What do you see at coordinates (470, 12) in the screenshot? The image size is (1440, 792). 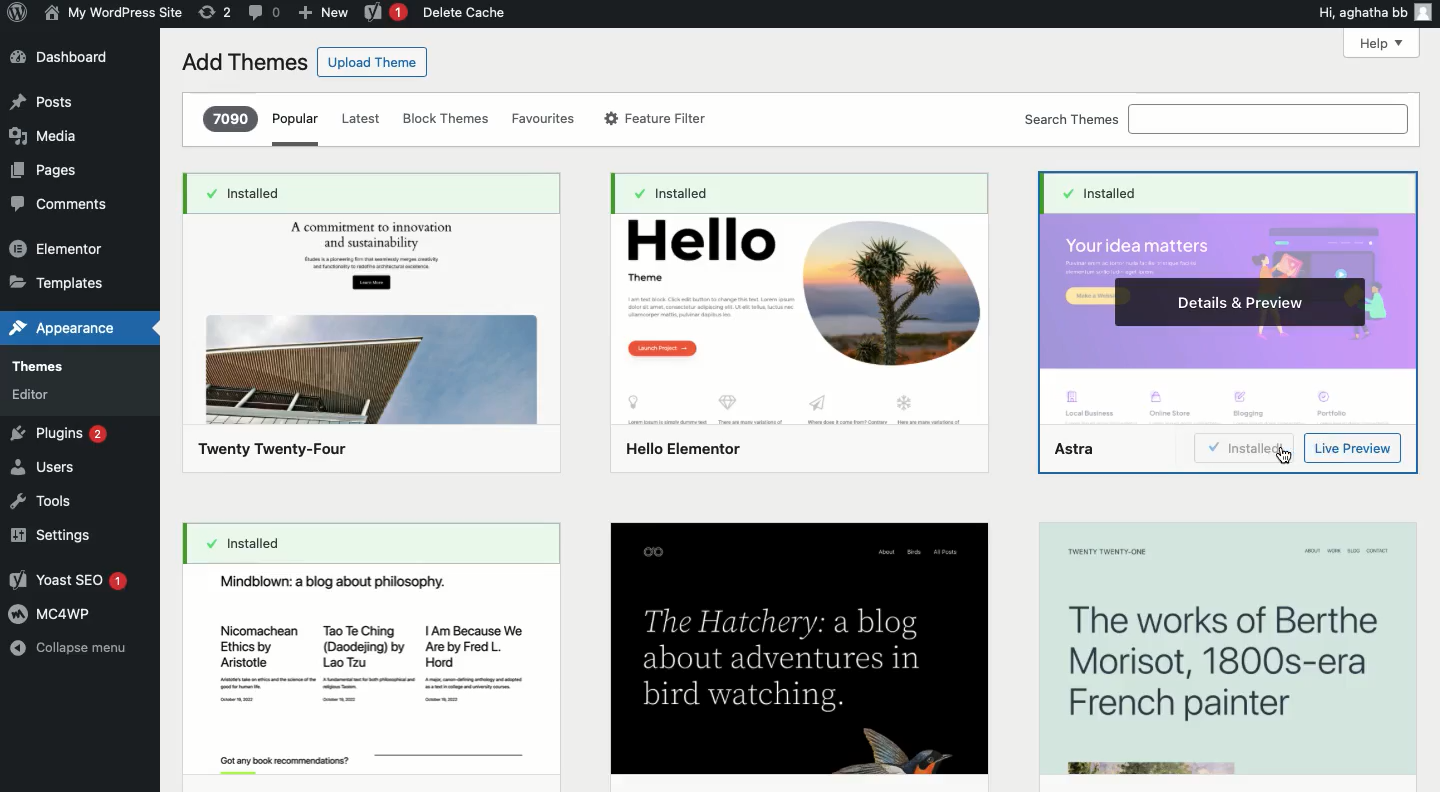 I see `Delete cache` at bounding box center [470, 12].